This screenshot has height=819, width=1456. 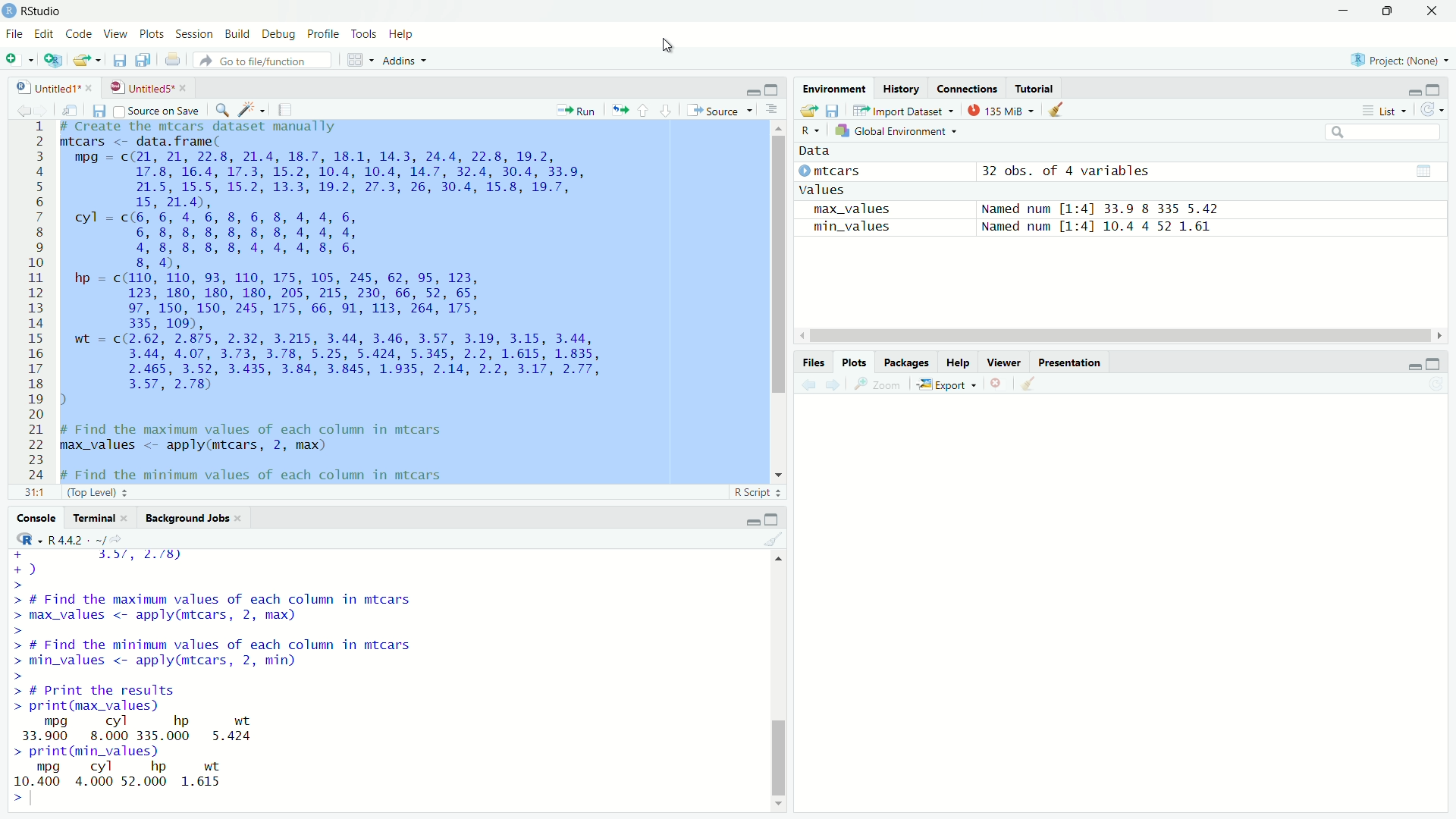 I want to click on Code, so click(x=80, y=34).